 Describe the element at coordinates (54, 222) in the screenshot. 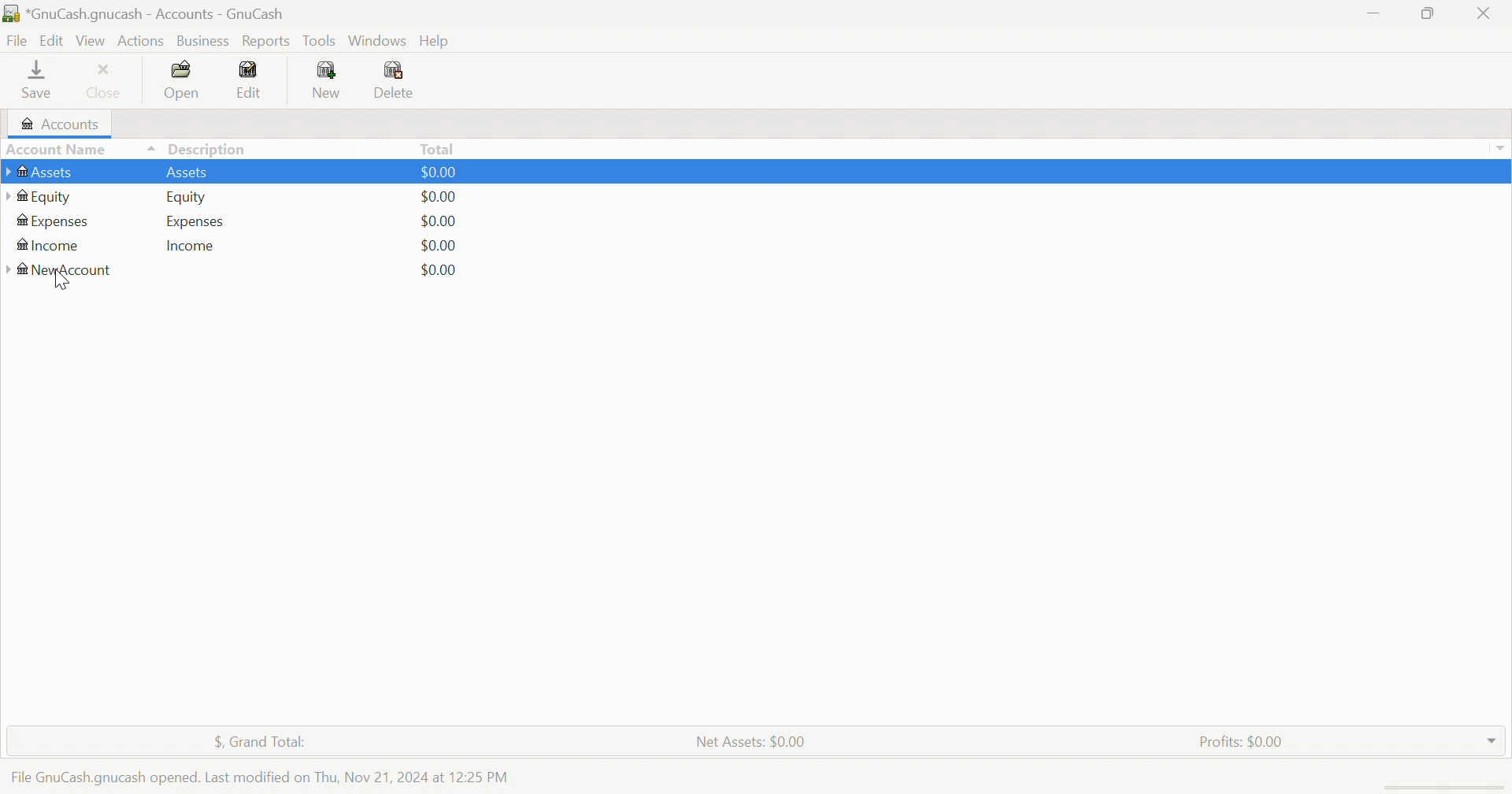

I see `Expenses` at that location.